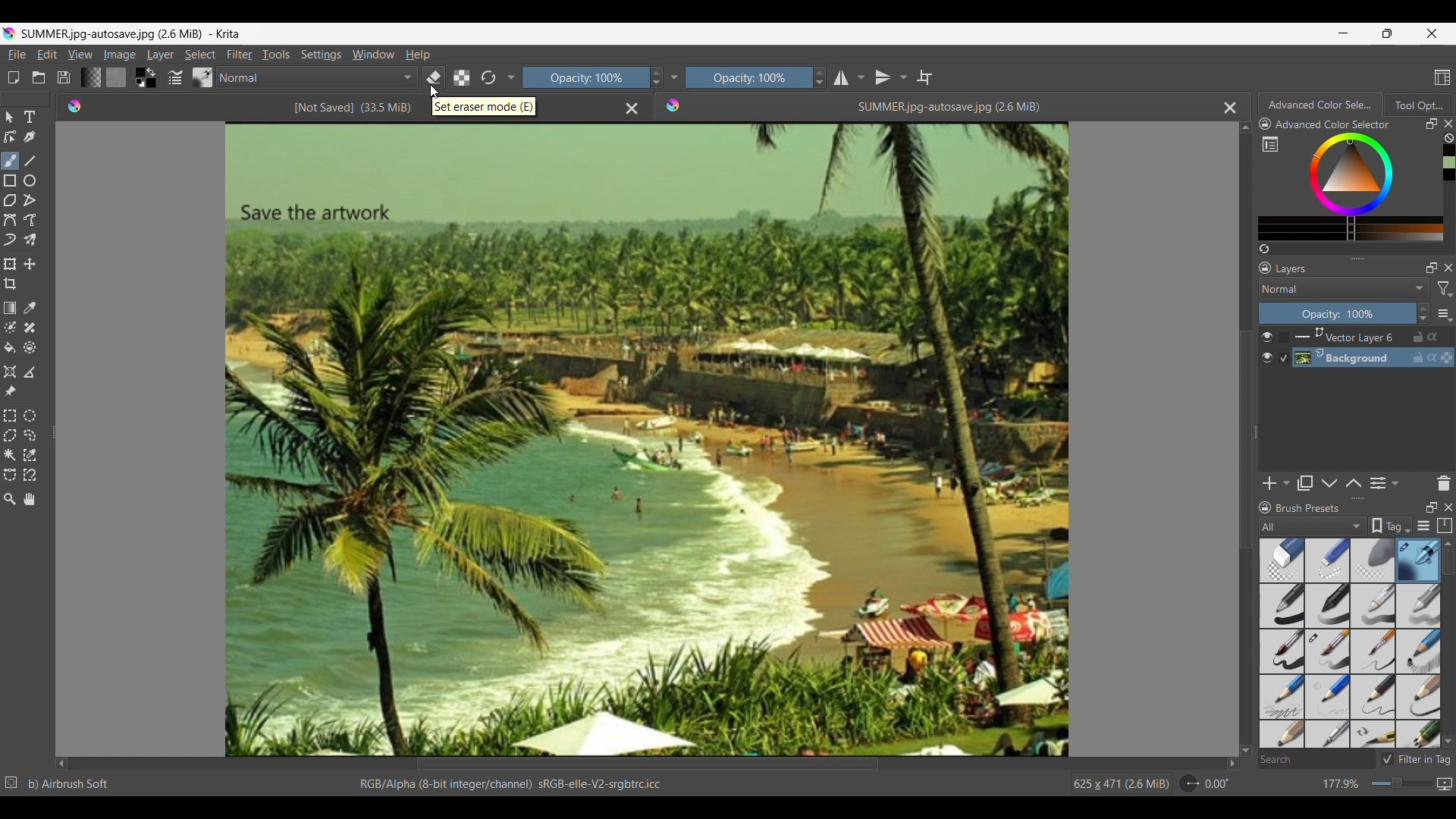  I want to click on View/Change layer properties, so click(1385, 483).